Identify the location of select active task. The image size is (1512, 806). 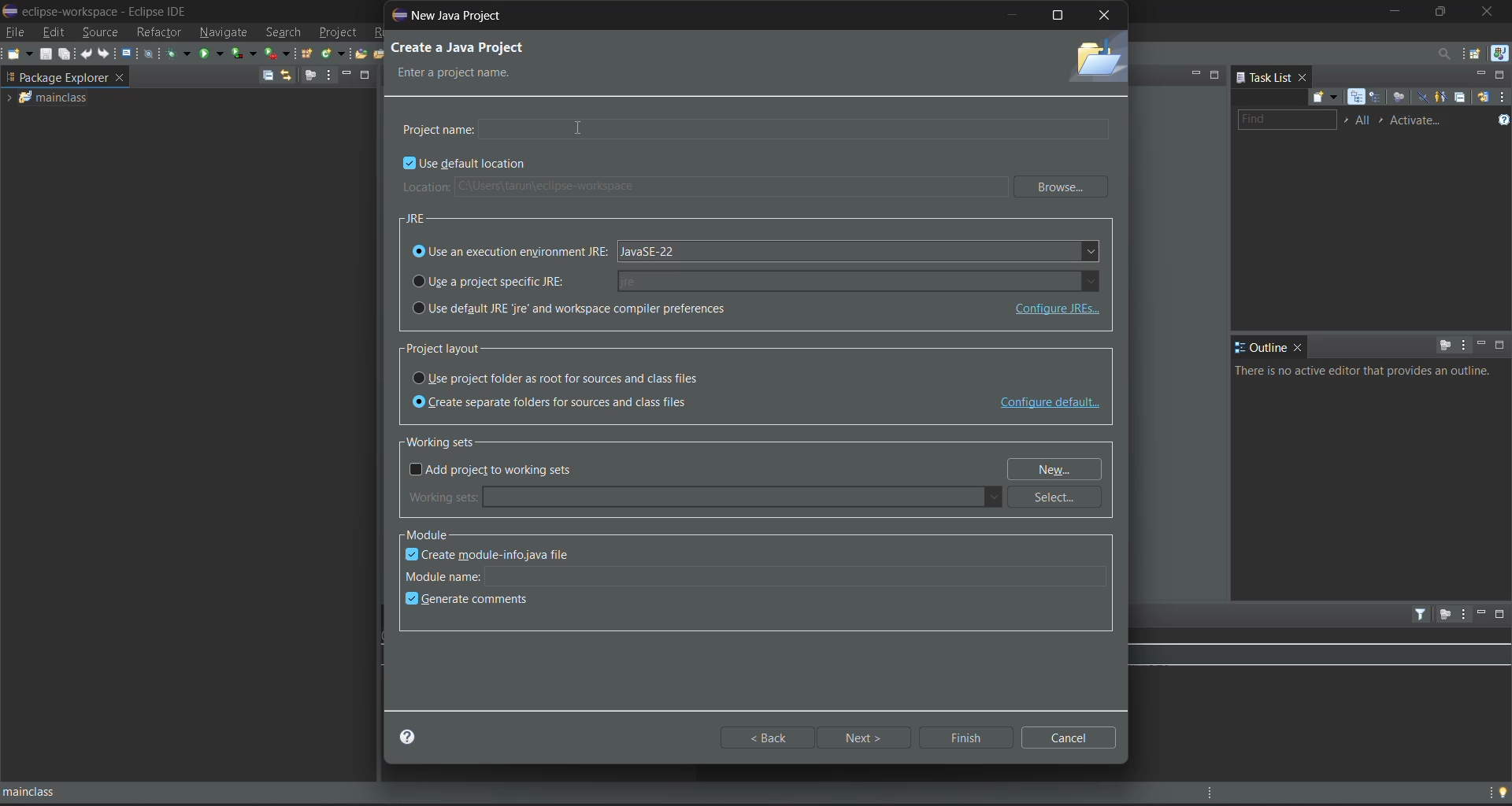
(1384, 121).